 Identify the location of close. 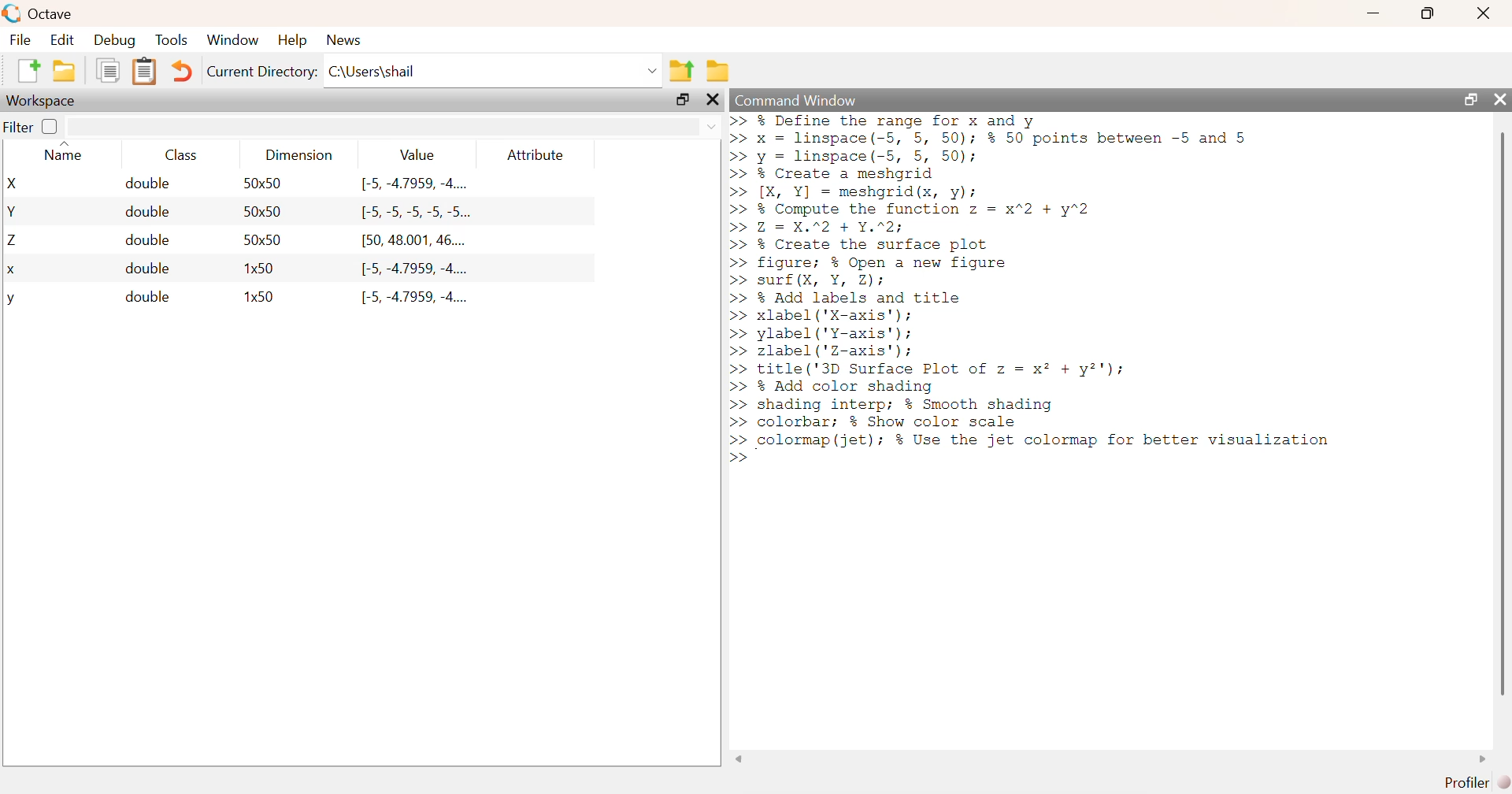
(1486, 13).